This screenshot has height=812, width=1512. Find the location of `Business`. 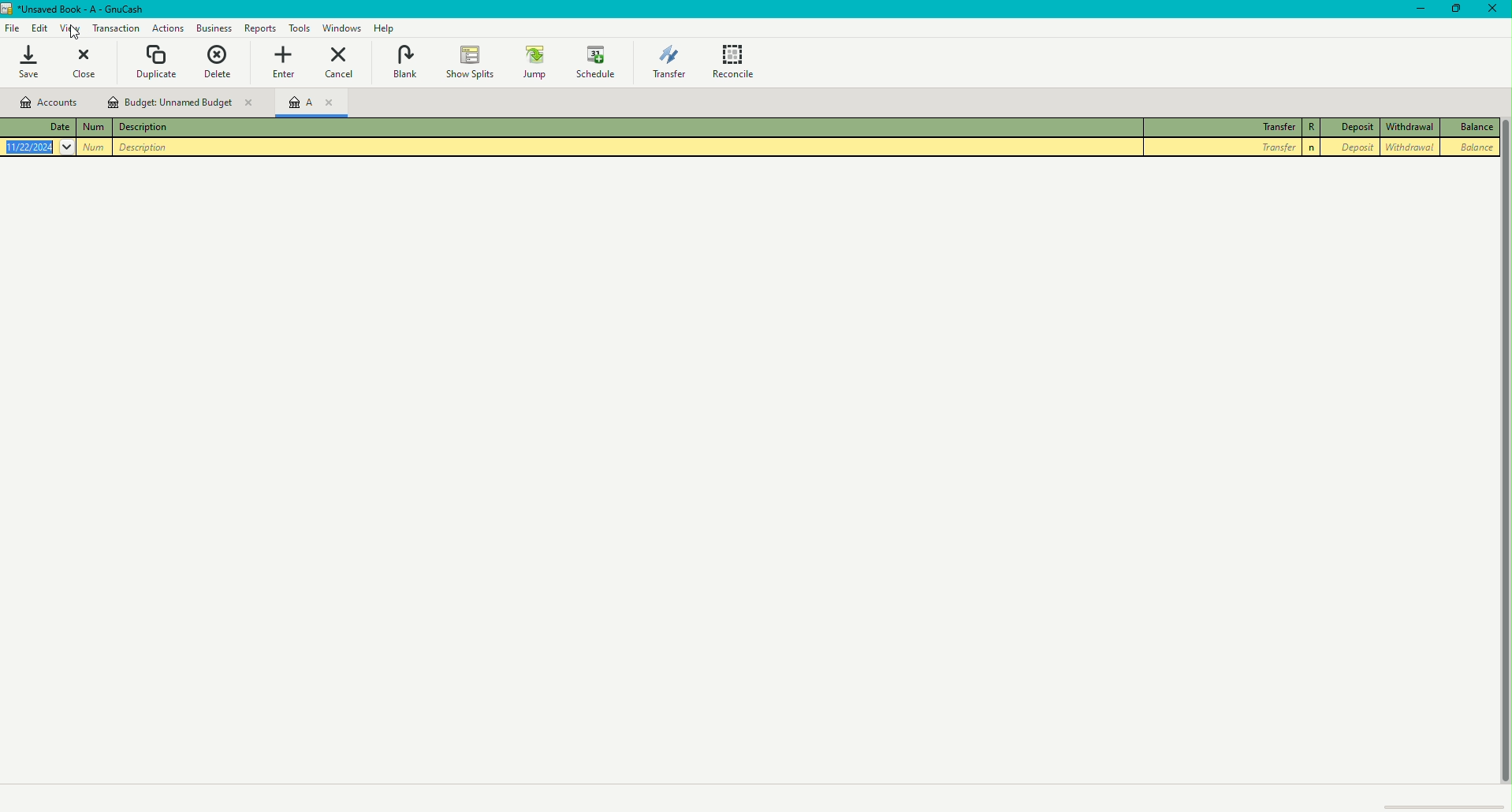

Business is located at coordinates (166, 28).